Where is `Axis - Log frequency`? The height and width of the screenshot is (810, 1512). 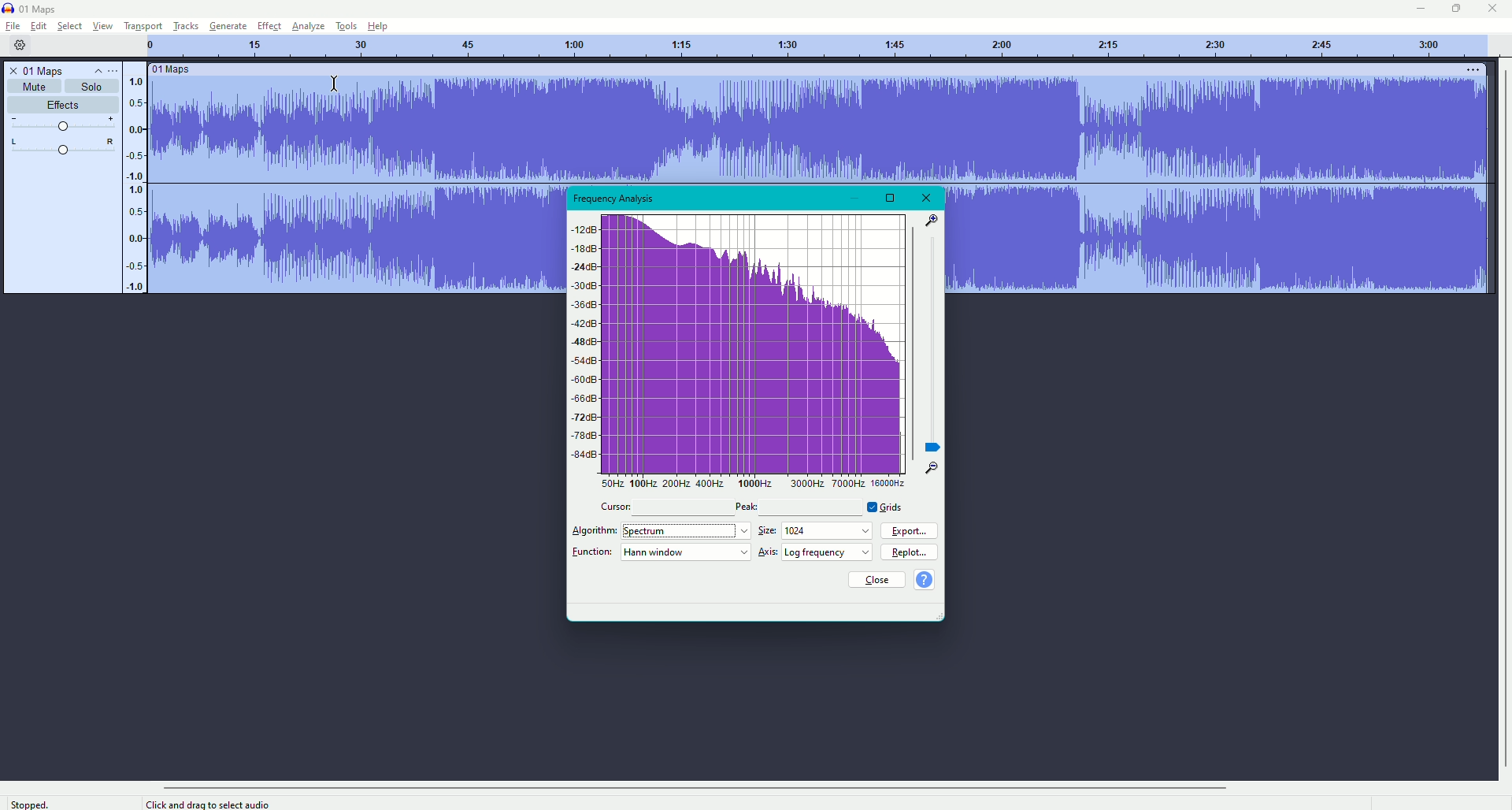
Axis - Log frequency is located at coordinates (817, 552).